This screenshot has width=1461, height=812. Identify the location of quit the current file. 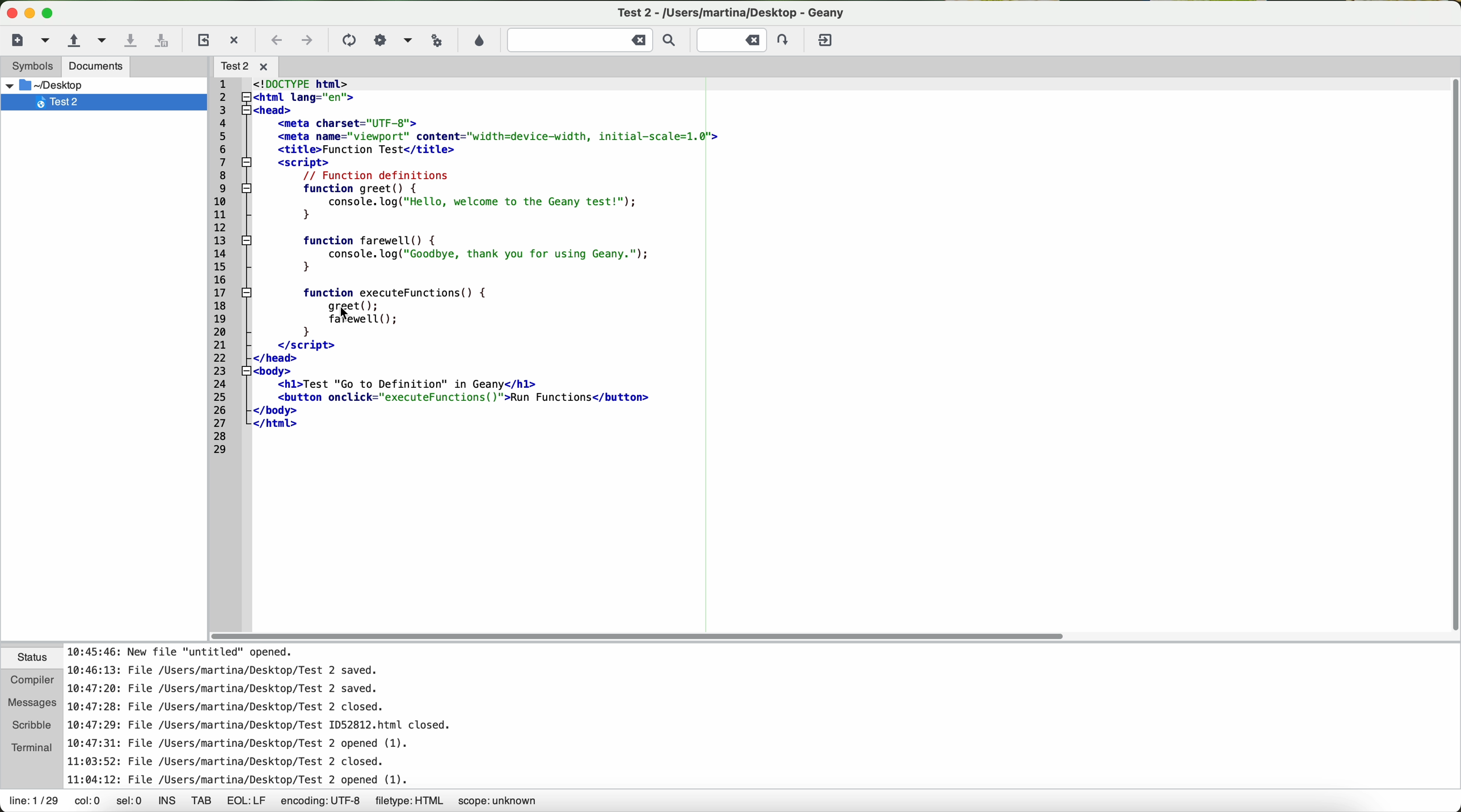
(235, 40).